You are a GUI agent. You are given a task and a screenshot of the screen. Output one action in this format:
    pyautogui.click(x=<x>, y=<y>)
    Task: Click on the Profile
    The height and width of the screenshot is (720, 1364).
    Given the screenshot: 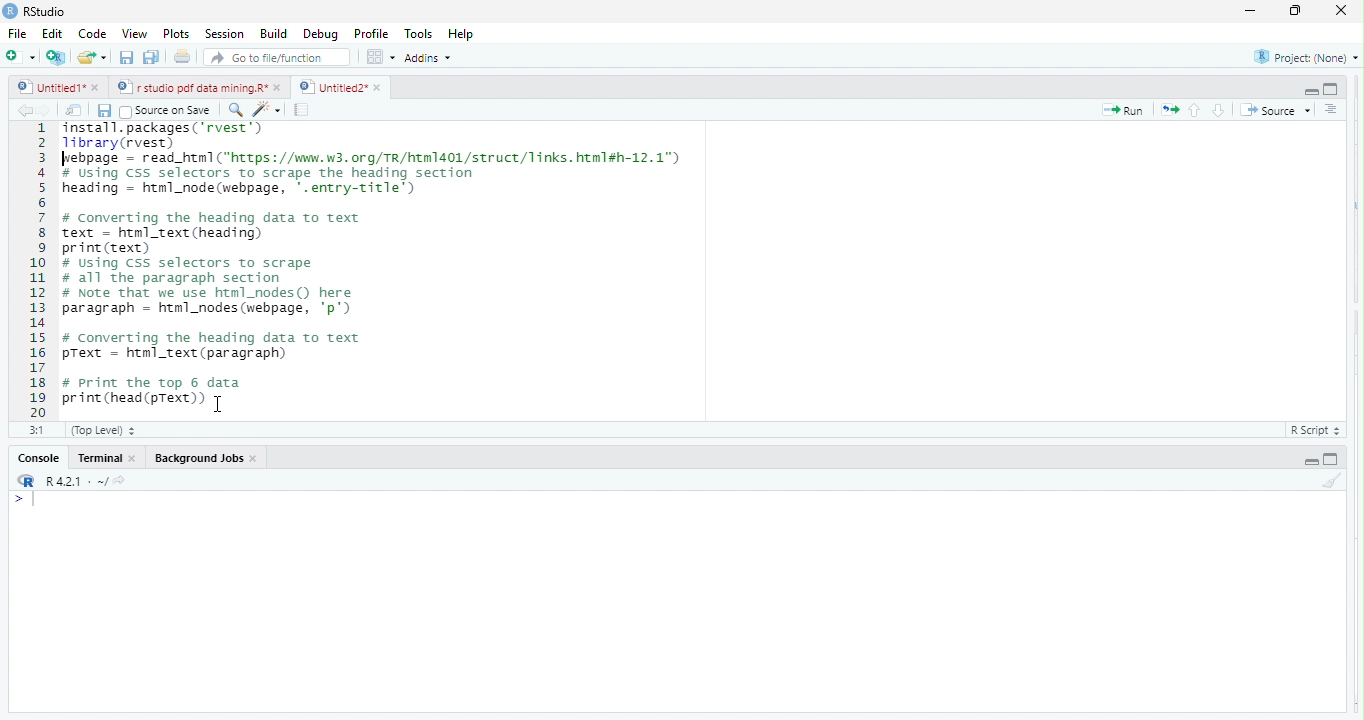 What is the action you would take?
    pyautogui.click(x=375, y=35)
    